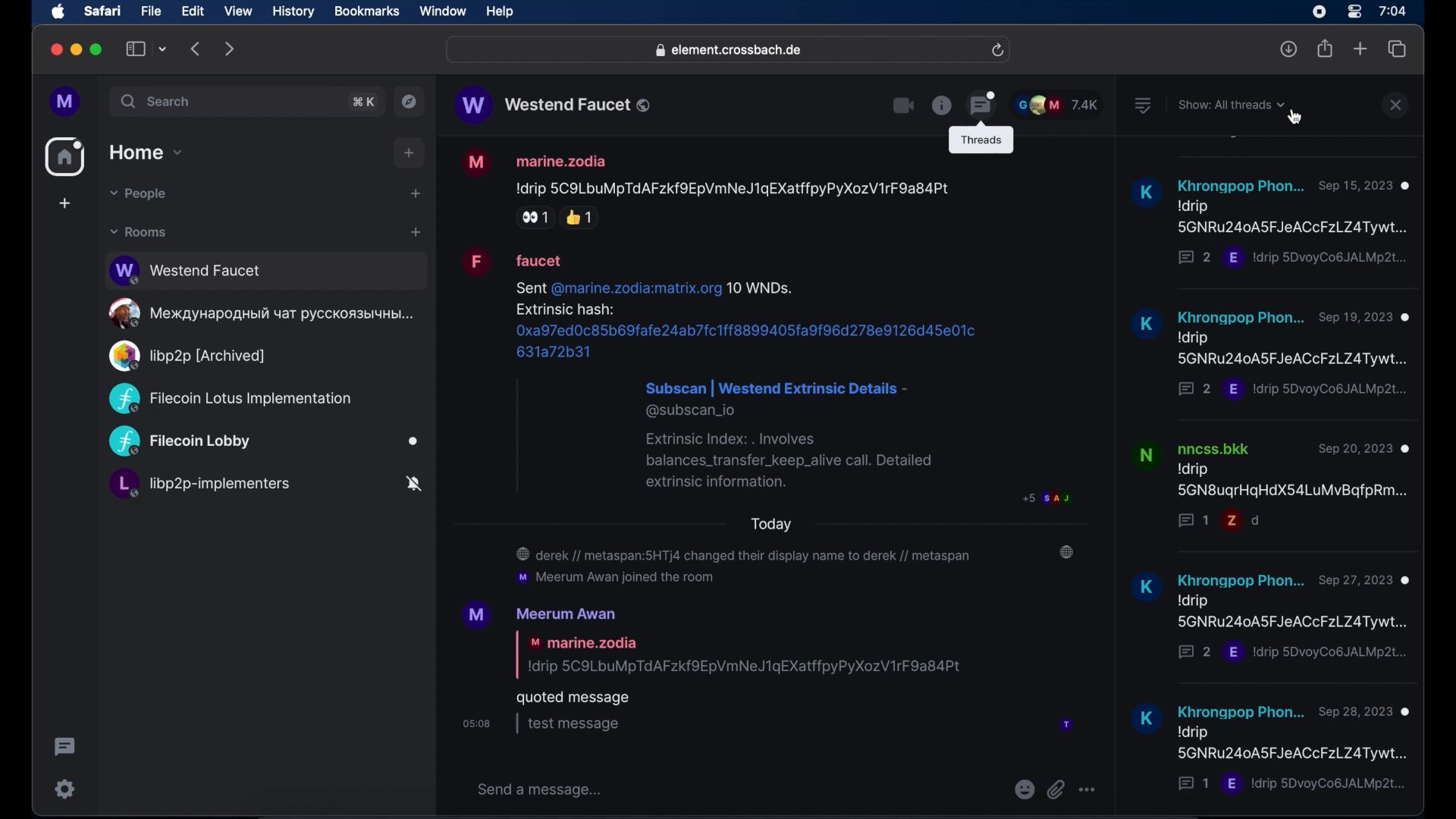  Describe the element at coordinates (1025, 791) in the screenshot. I see `emojis` at that location.